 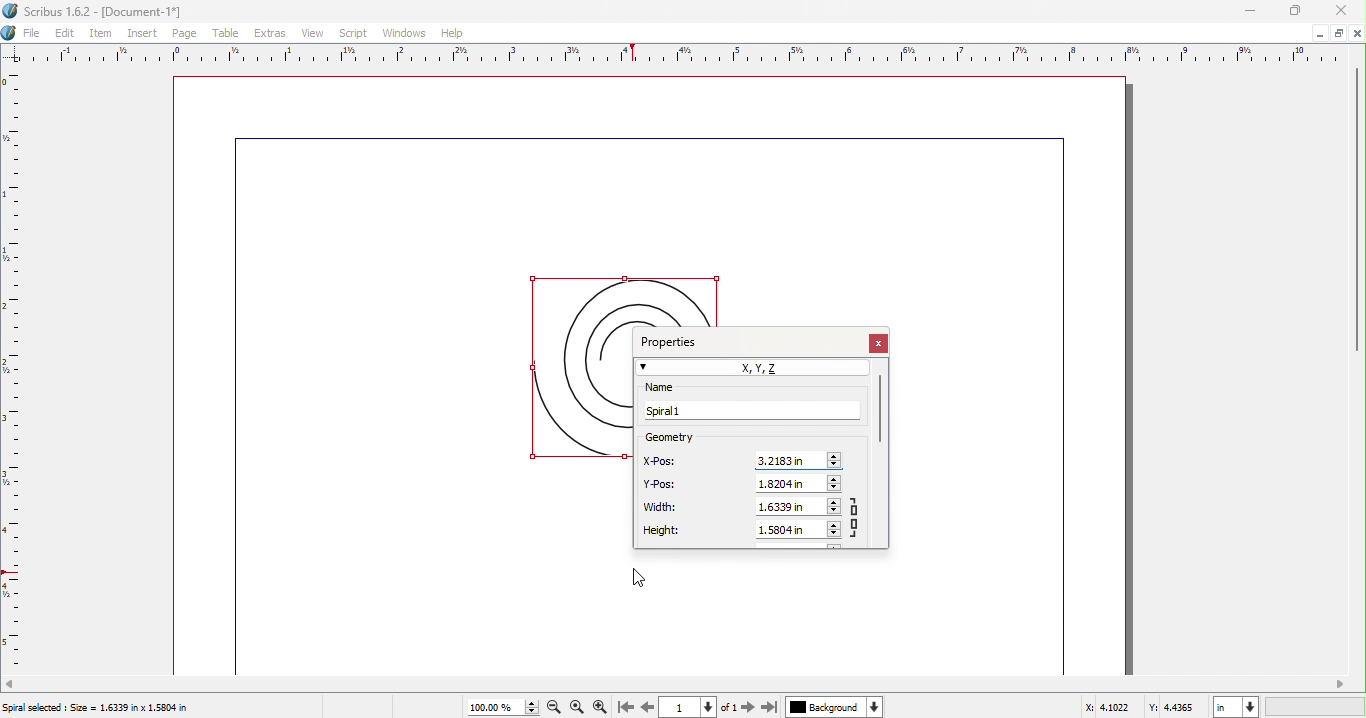 What do you see at coordinates (837, 454) in the screenshot?
I see `increase X-pos` at bounding box center [837, 454].